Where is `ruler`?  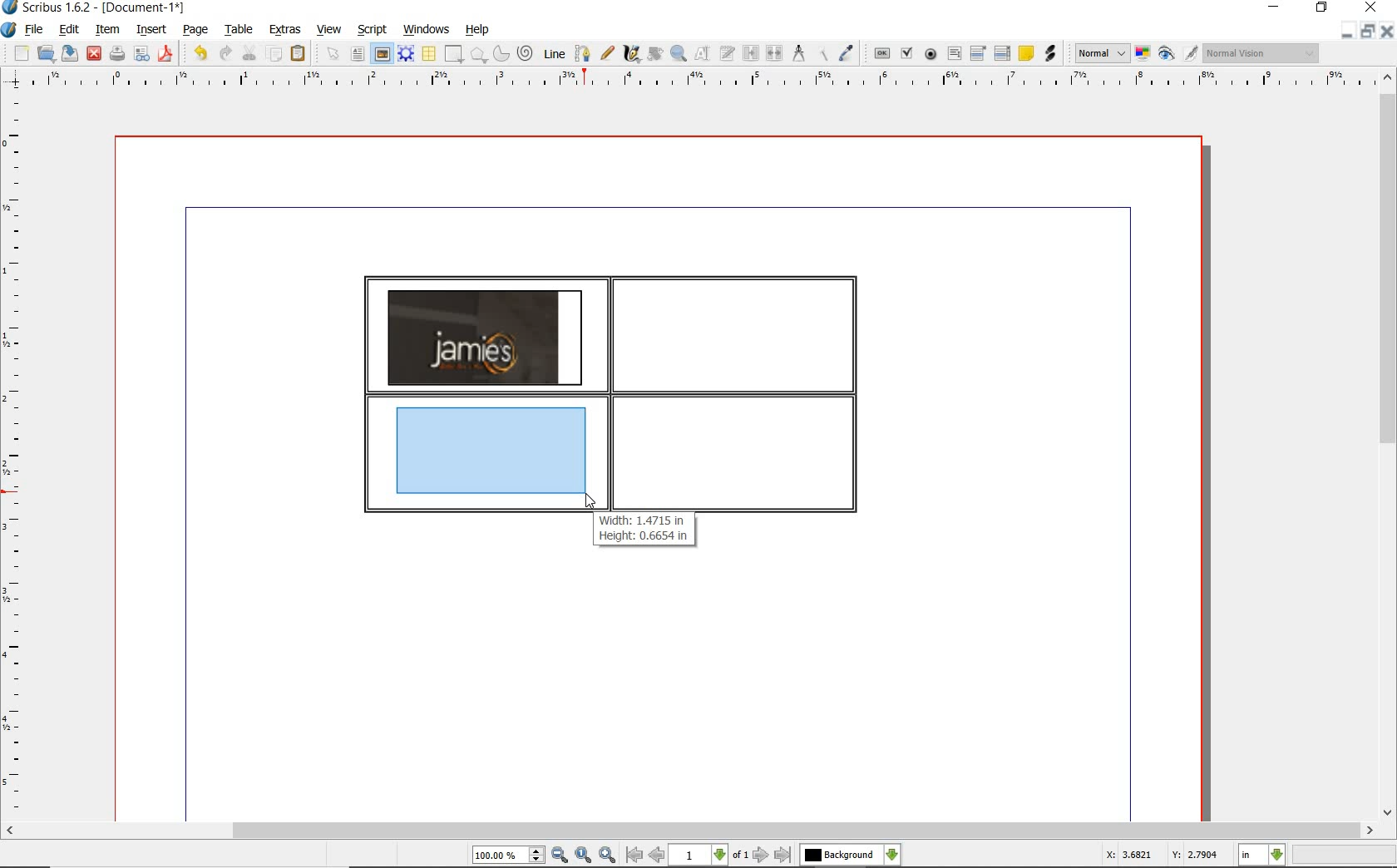
ruler is located at coordinates (16, 455).